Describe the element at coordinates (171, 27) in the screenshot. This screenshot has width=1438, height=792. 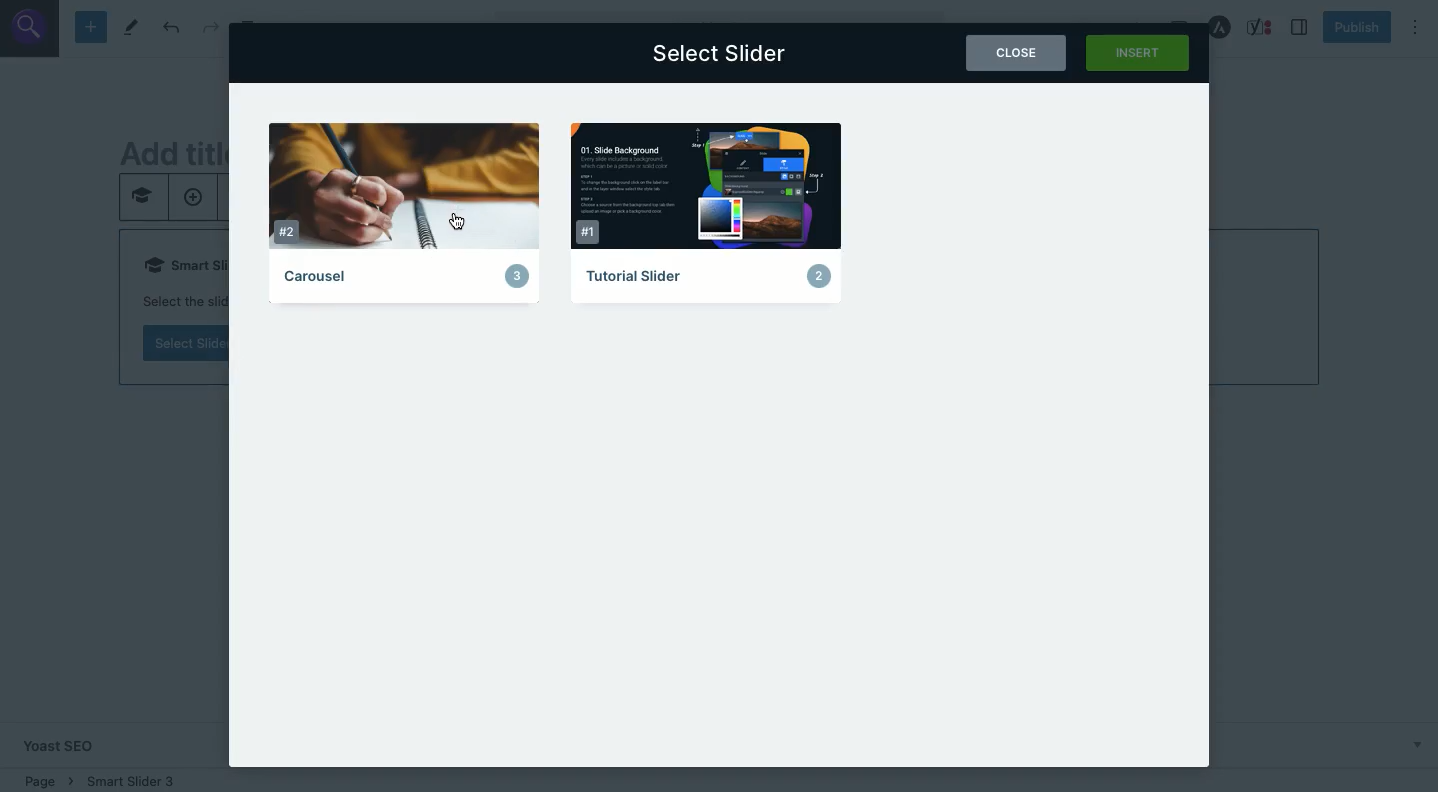
I see `Undo` at that location.